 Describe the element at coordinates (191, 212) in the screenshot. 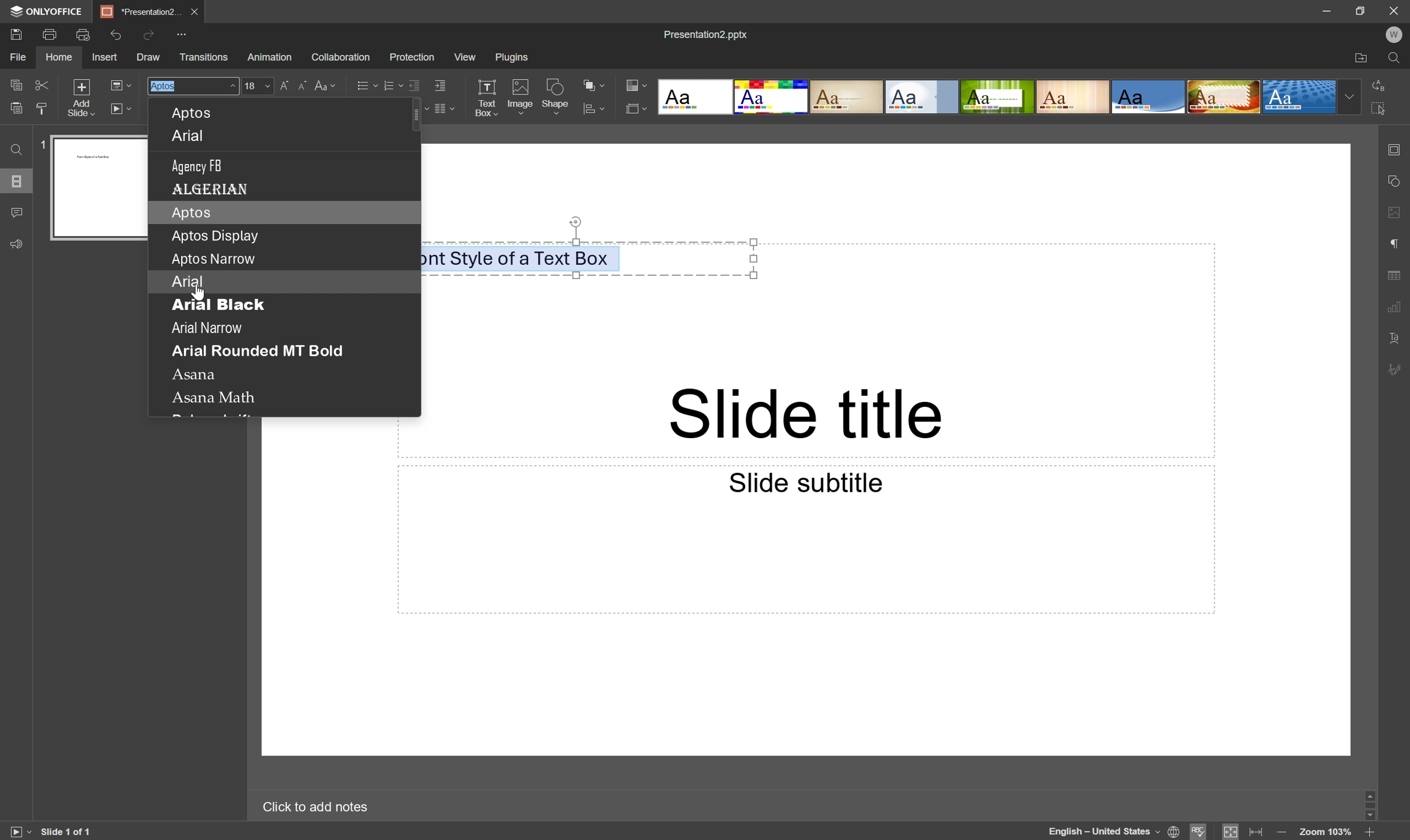

I see `Aptos` at that location.